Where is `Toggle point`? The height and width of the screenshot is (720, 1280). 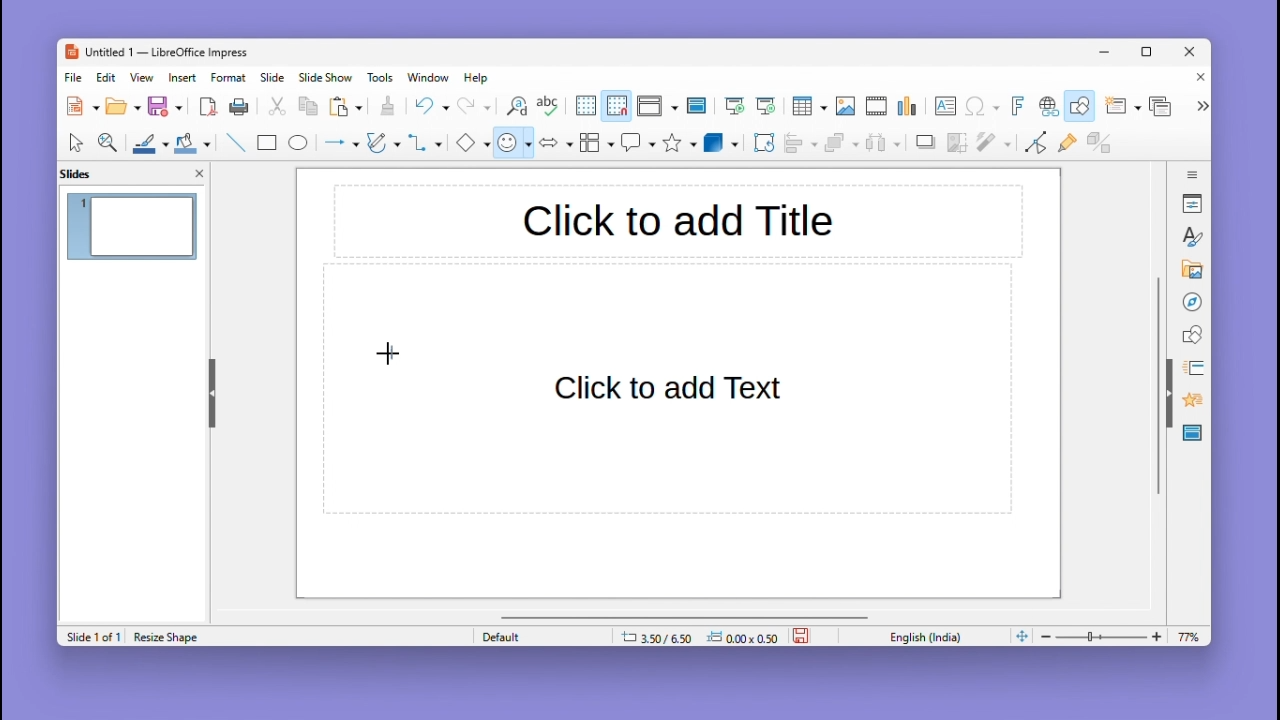
Toggle point is located at coordinates (1033, 146).